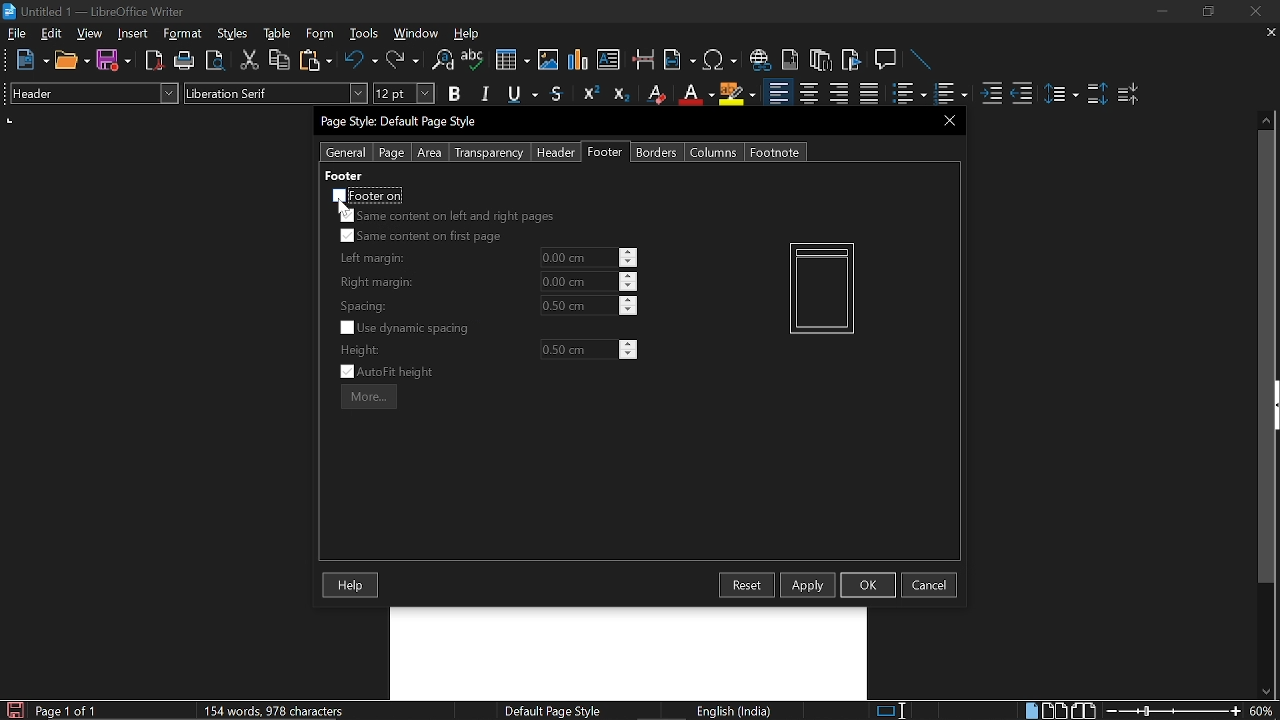 This screenshot has height=720, width=1280. I want to click on Word count, so click(295, 710).